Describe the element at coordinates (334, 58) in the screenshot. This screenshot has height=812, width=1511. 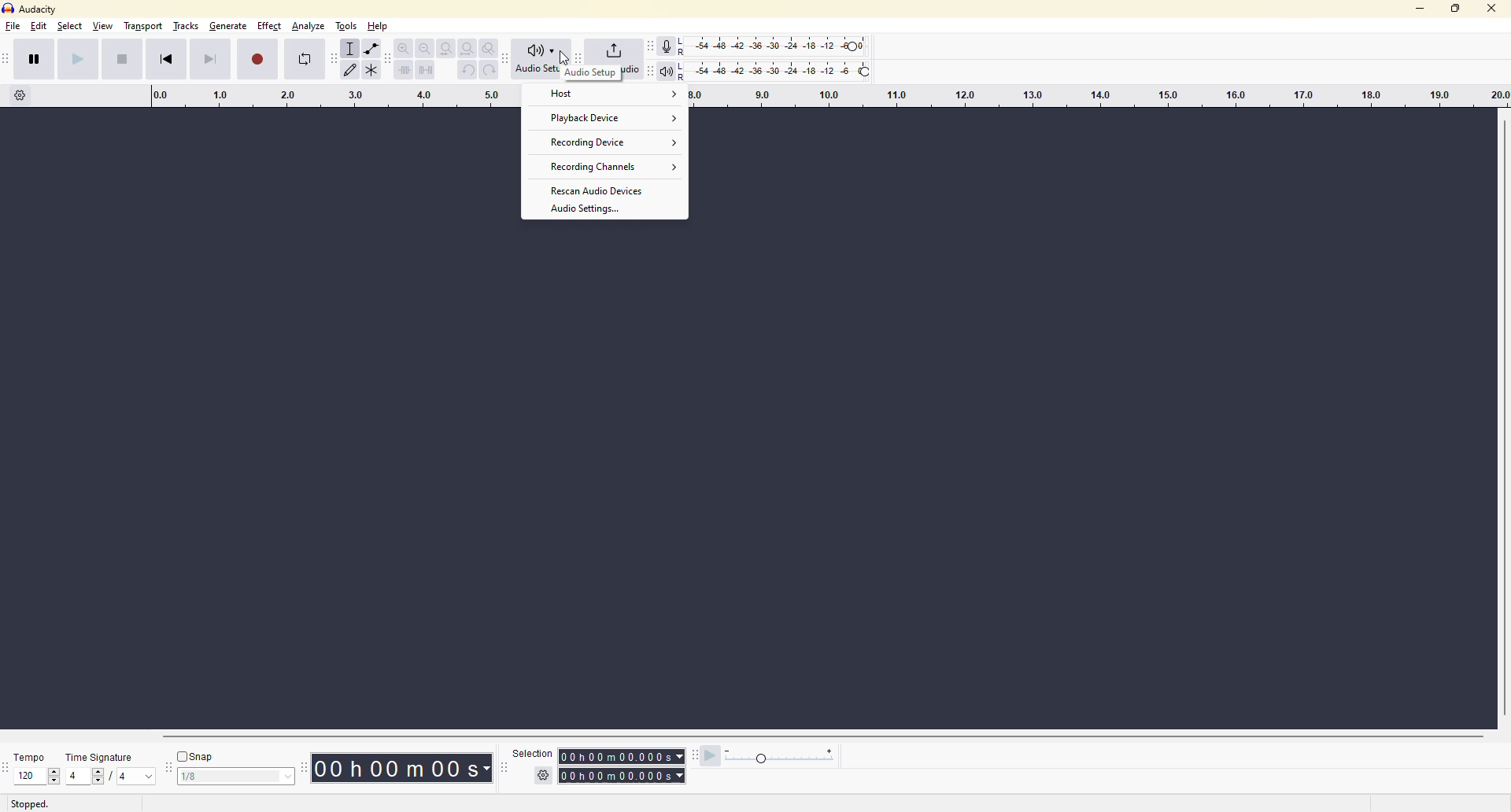
I see `audacity tools toolbar` at that location.